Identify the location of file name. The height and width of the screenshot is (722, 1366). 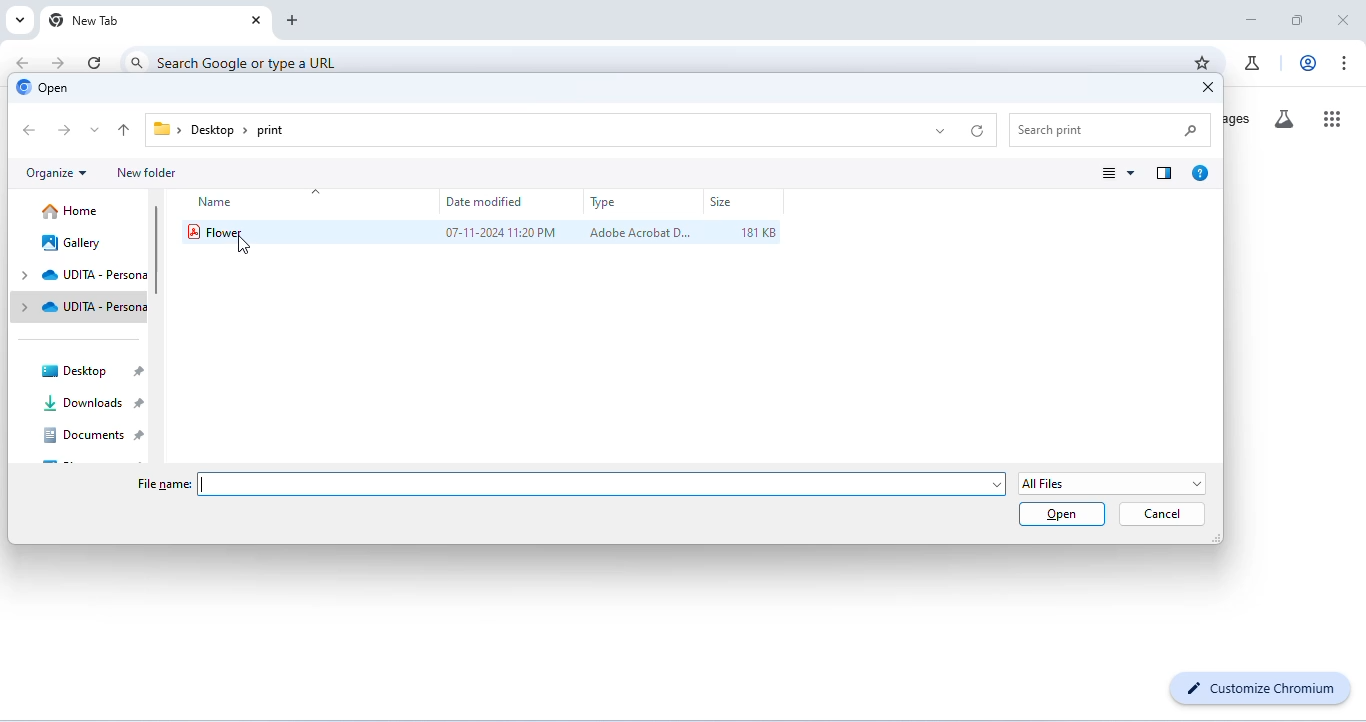
(164, 484).